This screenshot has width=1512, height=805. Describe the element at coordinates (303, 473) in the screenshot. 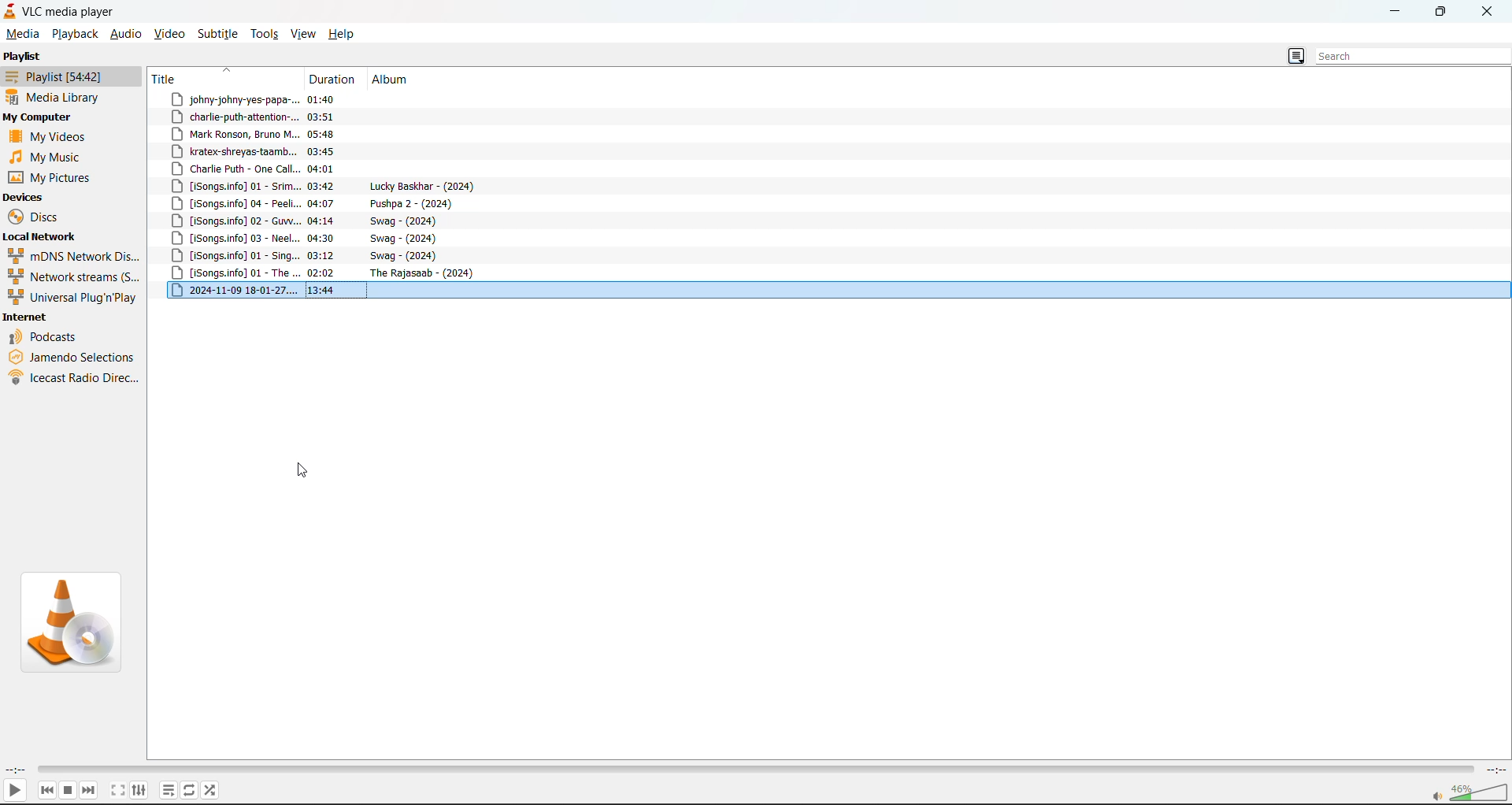

I see `cursor` at that location.